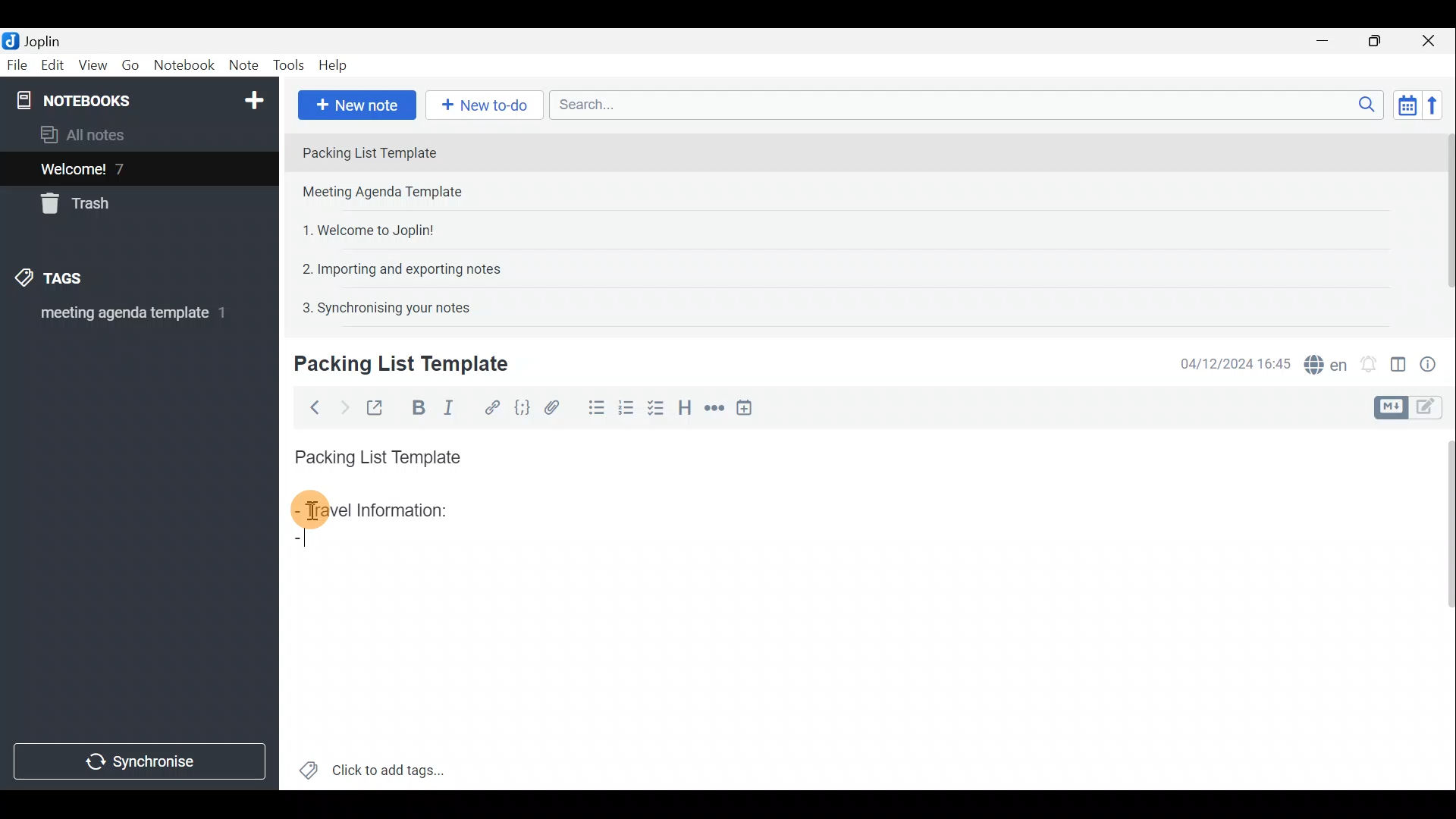  Describe the element at coordinates (962, 106) in the screenshot. I see `Search bar` at that location.